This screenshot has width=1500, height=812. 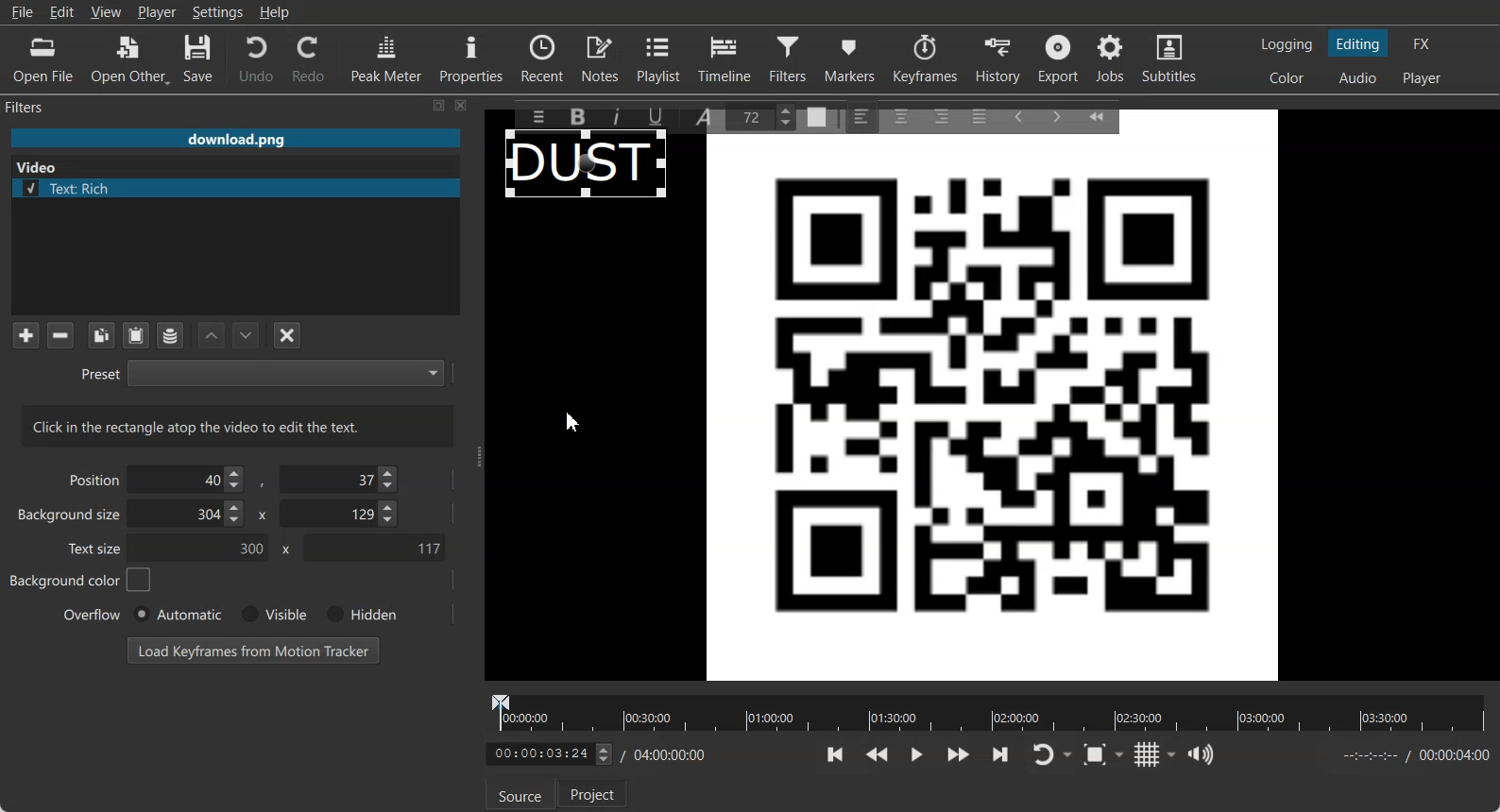 I want to click on Decrease Indent, so click(x=1018, y=115).